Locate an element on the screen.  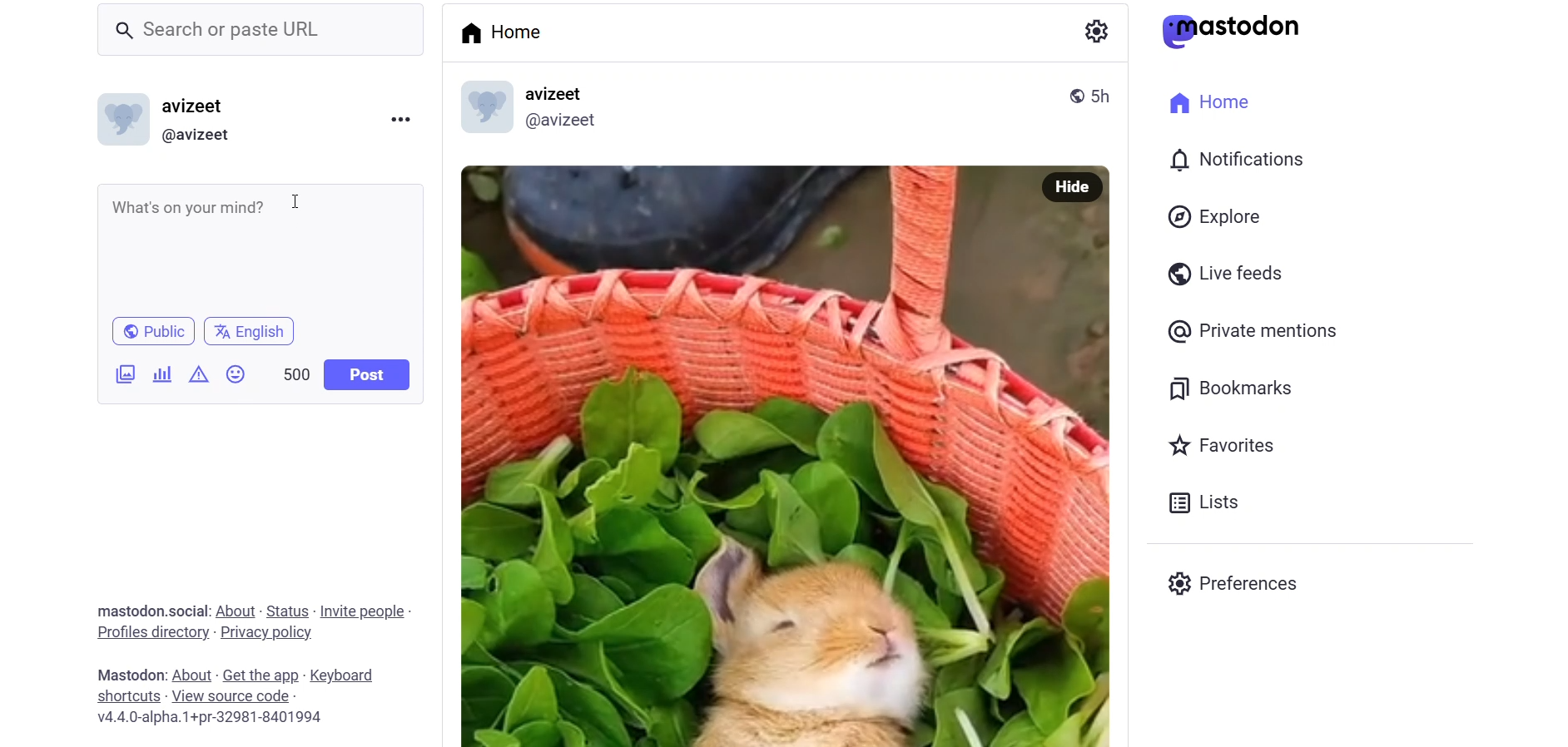
private mention is located at coordinates (1260, 332).